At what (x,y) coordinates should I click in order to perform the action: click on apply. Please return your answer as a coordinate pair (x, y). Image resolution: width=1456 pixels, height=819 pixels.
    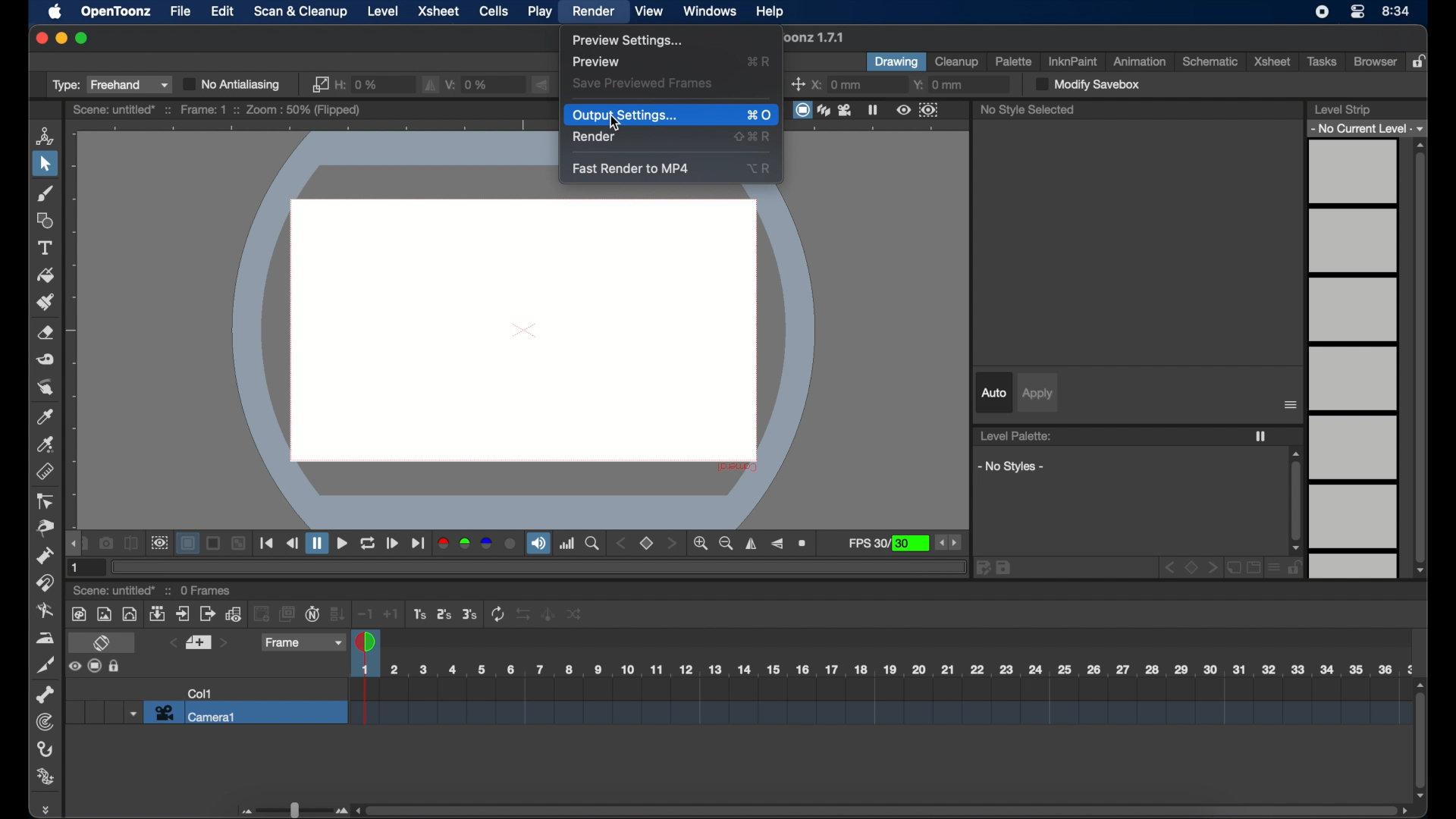
    Looking at the image, I should click on (1038, 394).